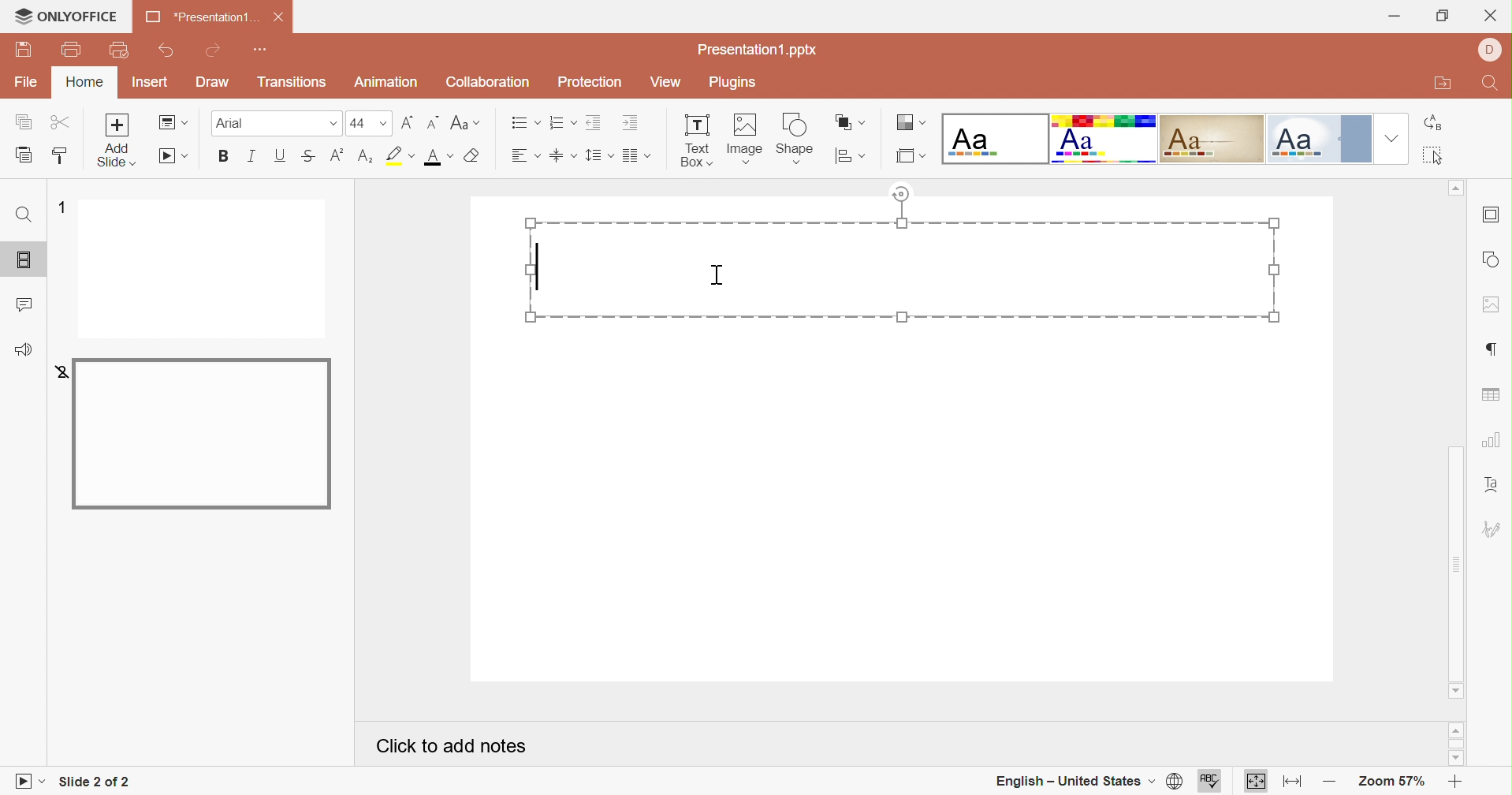 This screenshot has width=1512, height=795. I want to click on View, so click(664, 82).